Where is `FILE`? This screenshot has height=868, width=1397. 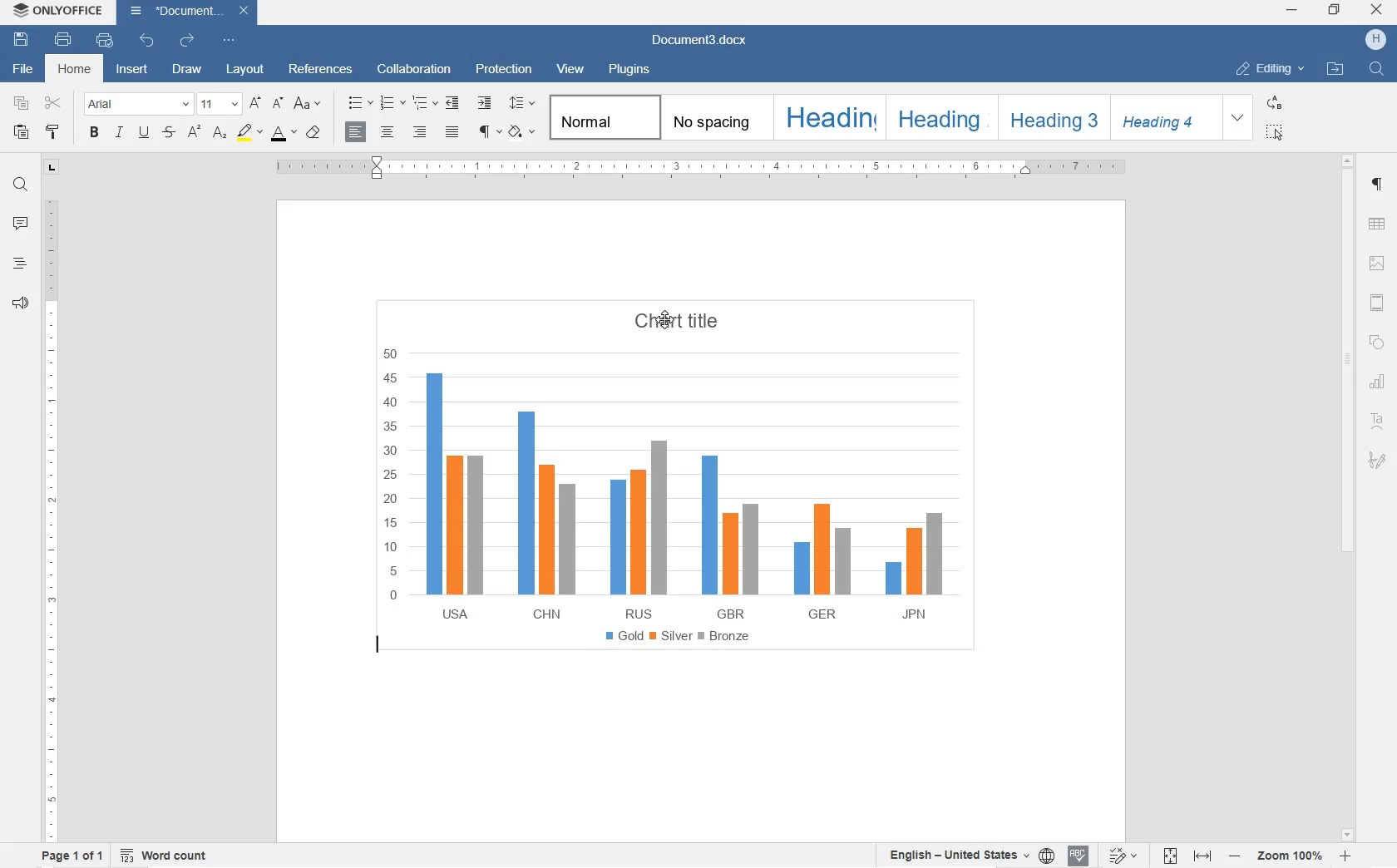
FILE is located at coordinates (24, 70).